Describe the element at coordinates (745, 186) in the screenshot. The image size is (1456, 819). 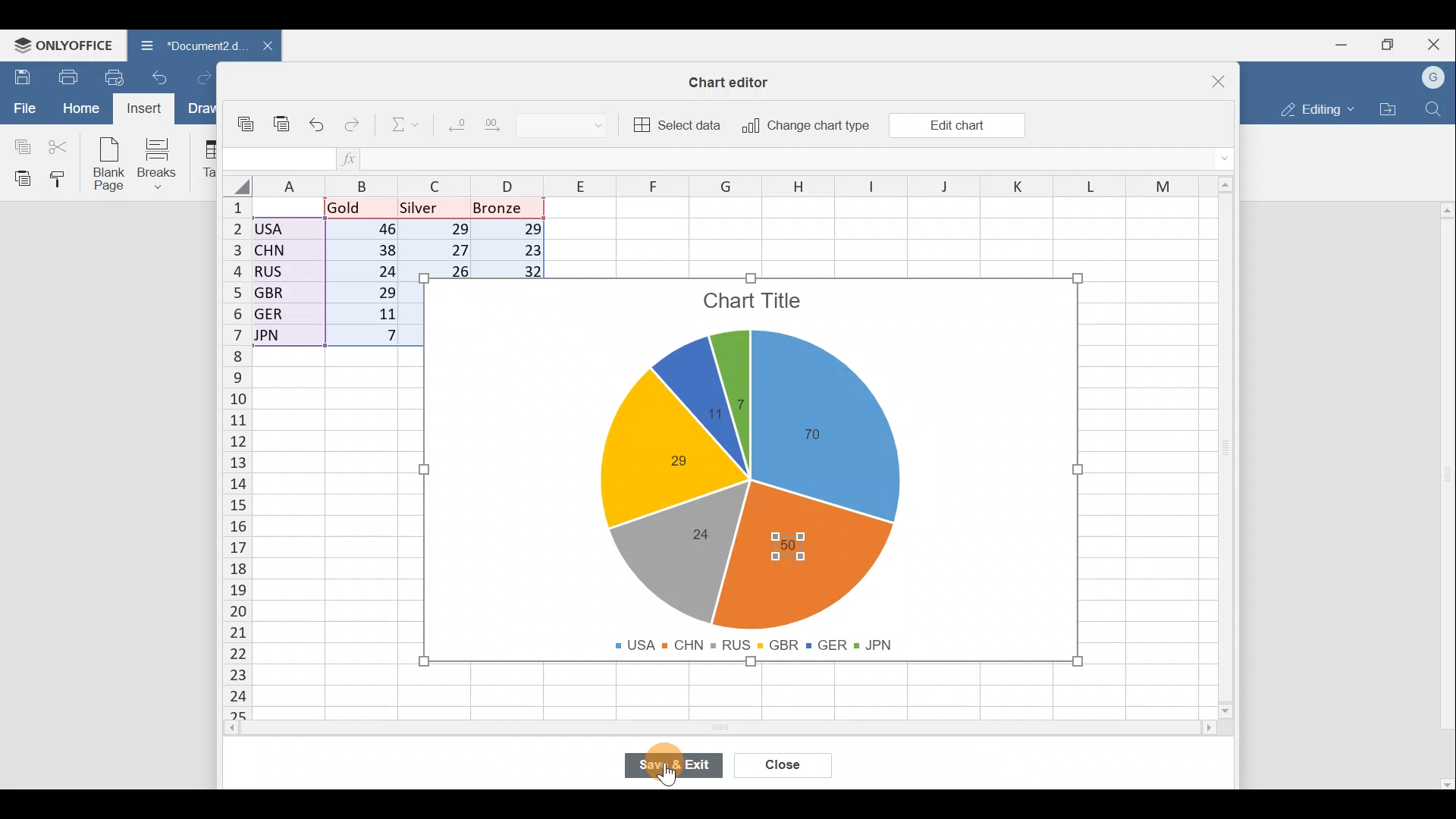
I see `Columns` at that location.